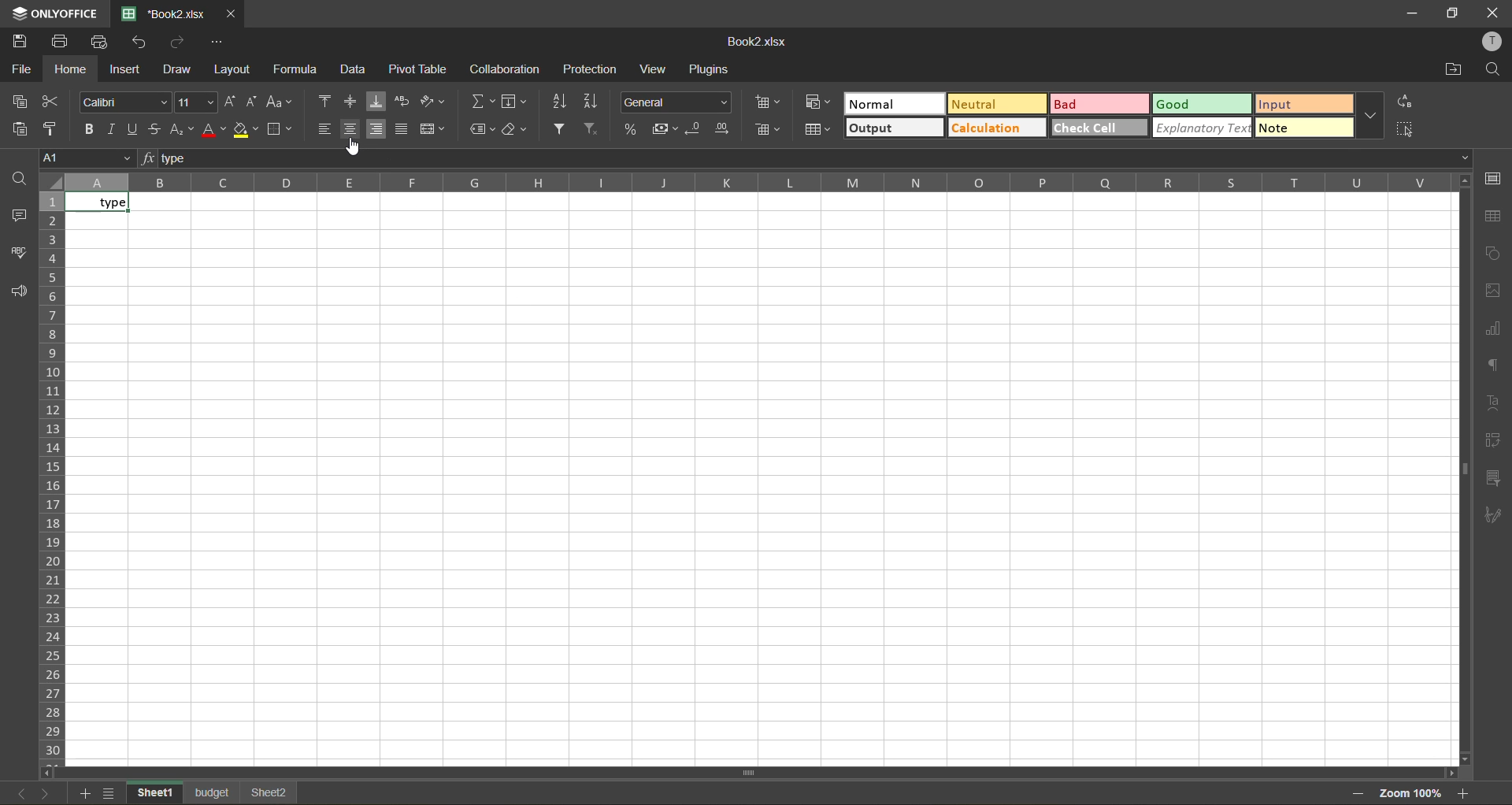 This screenshot has height=805, width=1512. What do you see at coordinates (180, 43) in the screenshot?
I see `redo` at bounding box center [180, 43].